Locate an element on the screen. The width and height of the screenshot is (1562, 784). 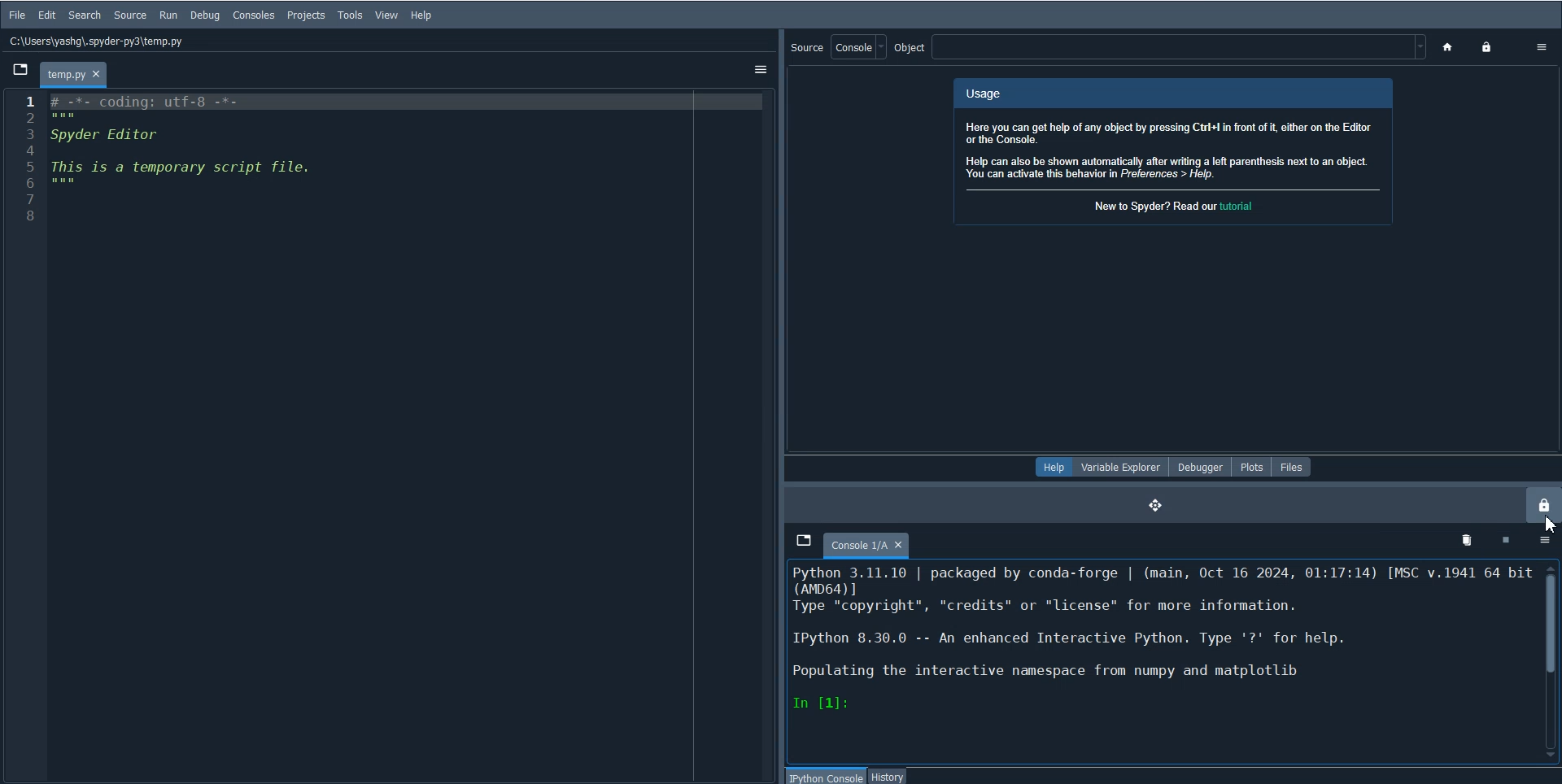
Browse Tab is located at coordinates (805, 542).